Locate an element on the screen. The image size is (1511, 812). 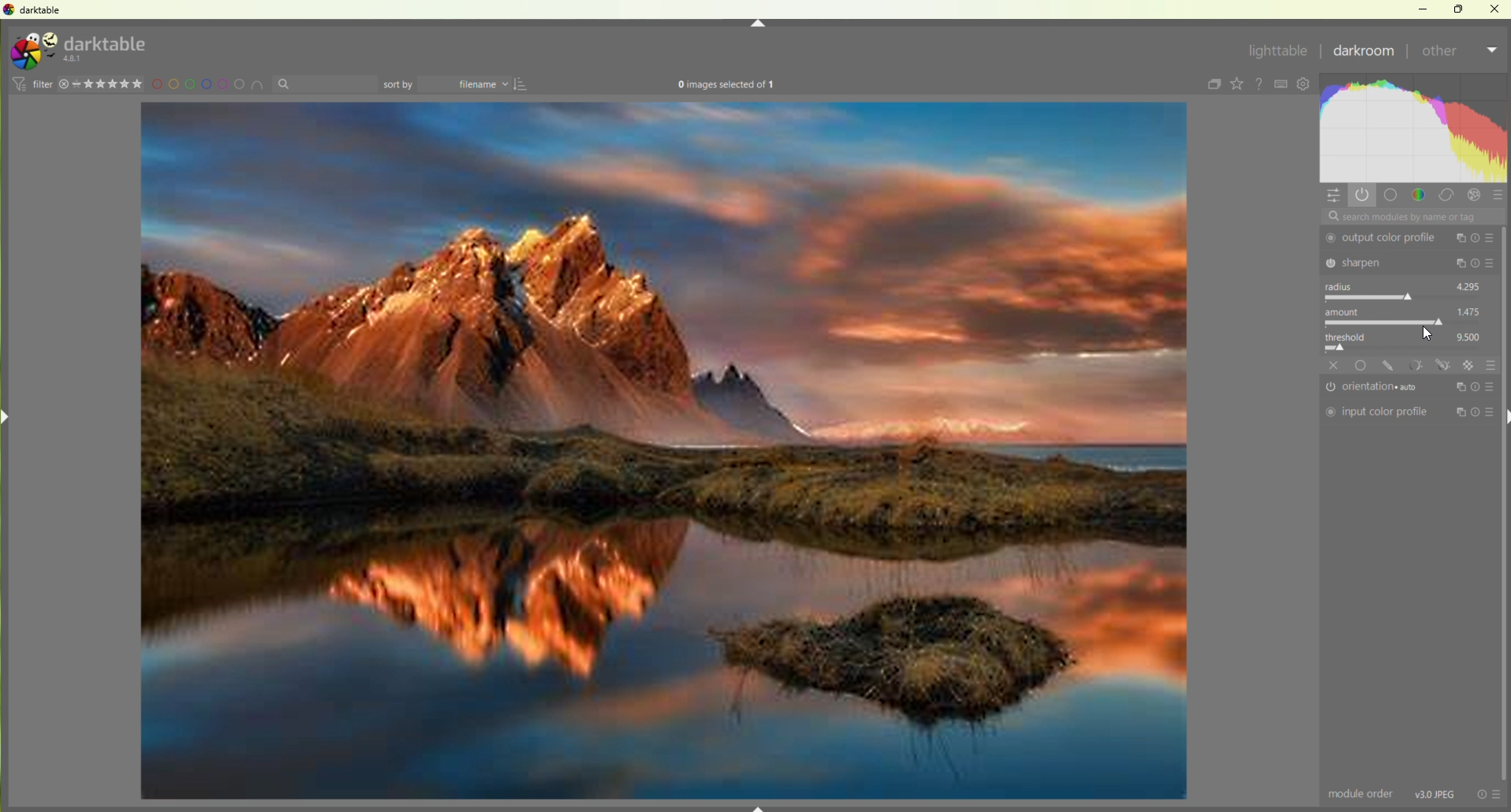
Help is located at coordinates (1261, 84).